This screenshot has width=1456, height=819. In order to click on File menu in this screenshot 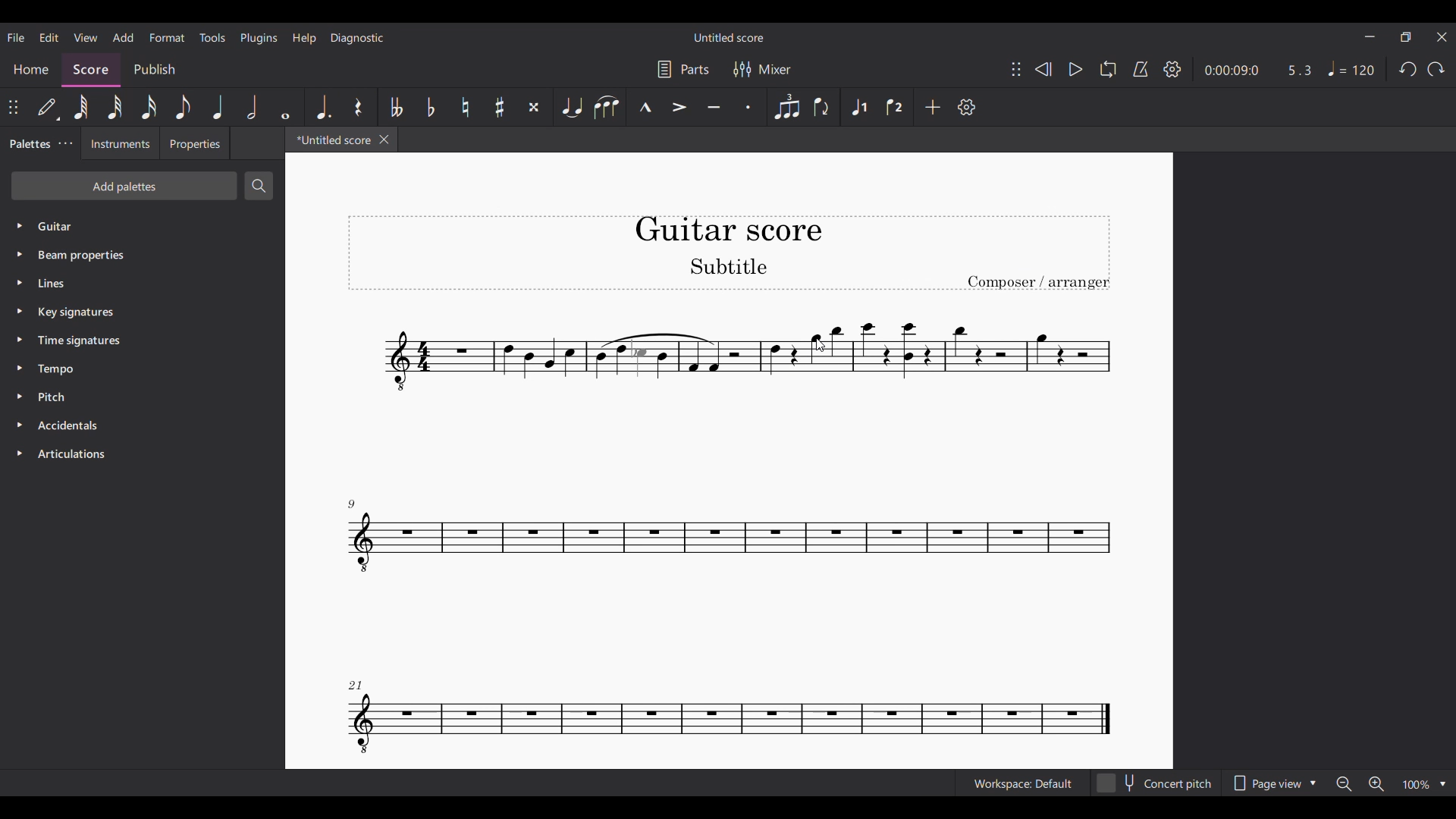, I will do `click(17, 37)`.